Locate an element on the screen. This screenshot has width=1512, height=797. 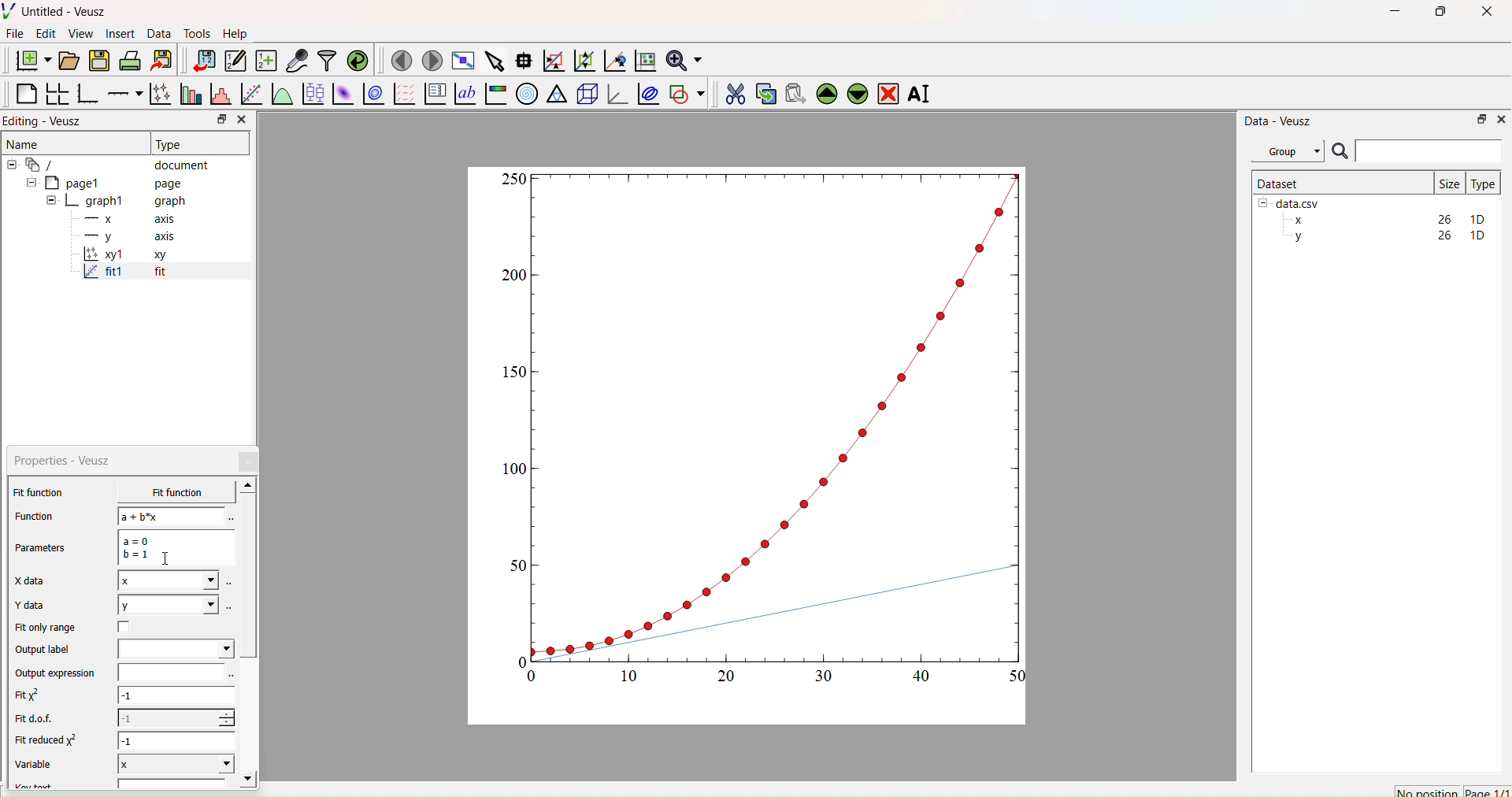
Variable is located at coordinates (41, 764).